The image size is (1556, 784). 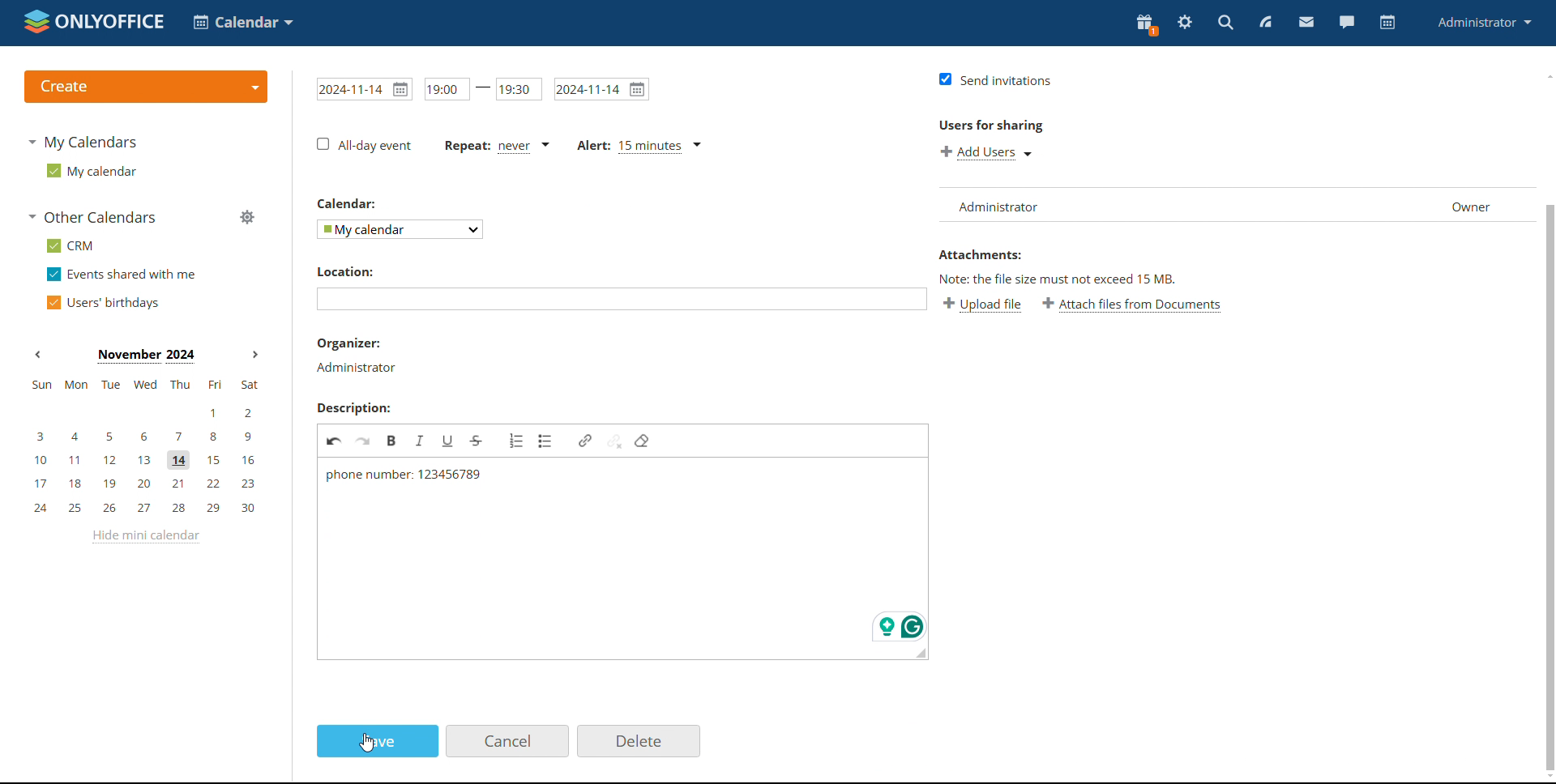 I want to click on attach files, so click(x=1134, y=306).